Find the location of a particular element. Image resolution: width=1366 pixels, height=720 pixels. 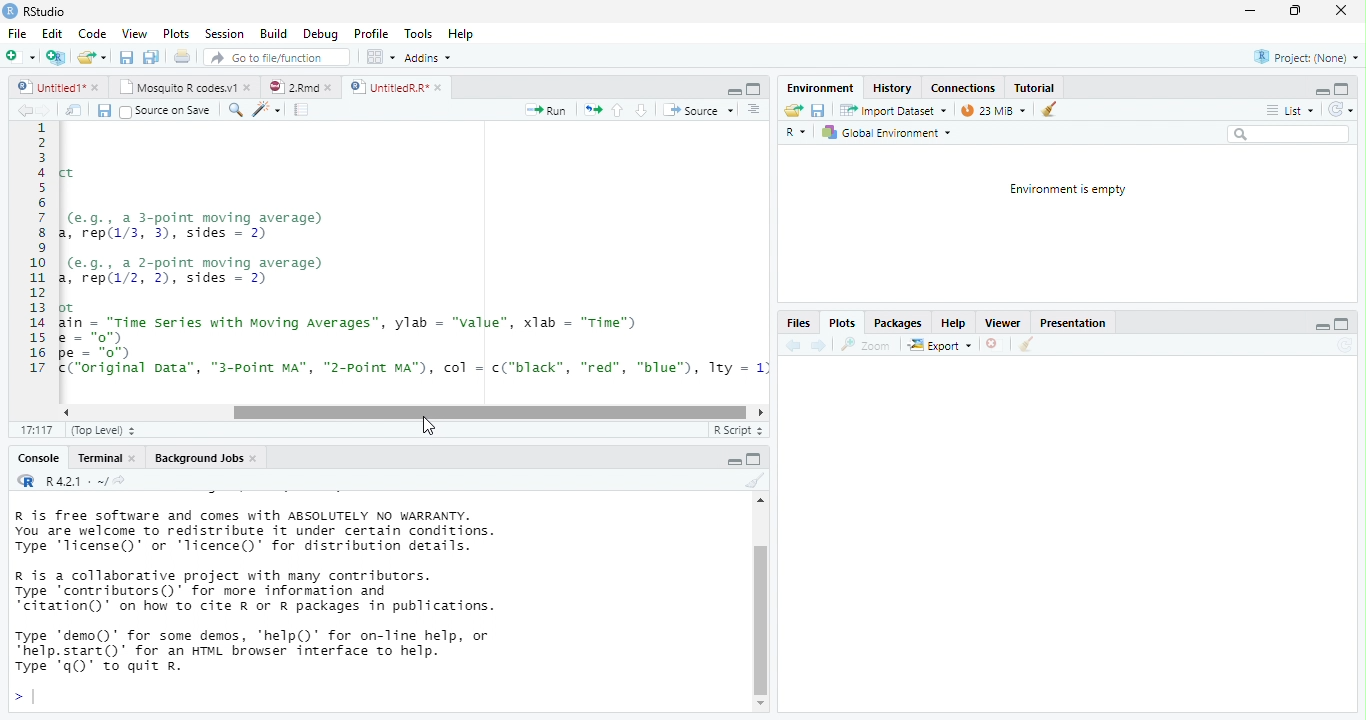

close is located at coordinates (136, 459).